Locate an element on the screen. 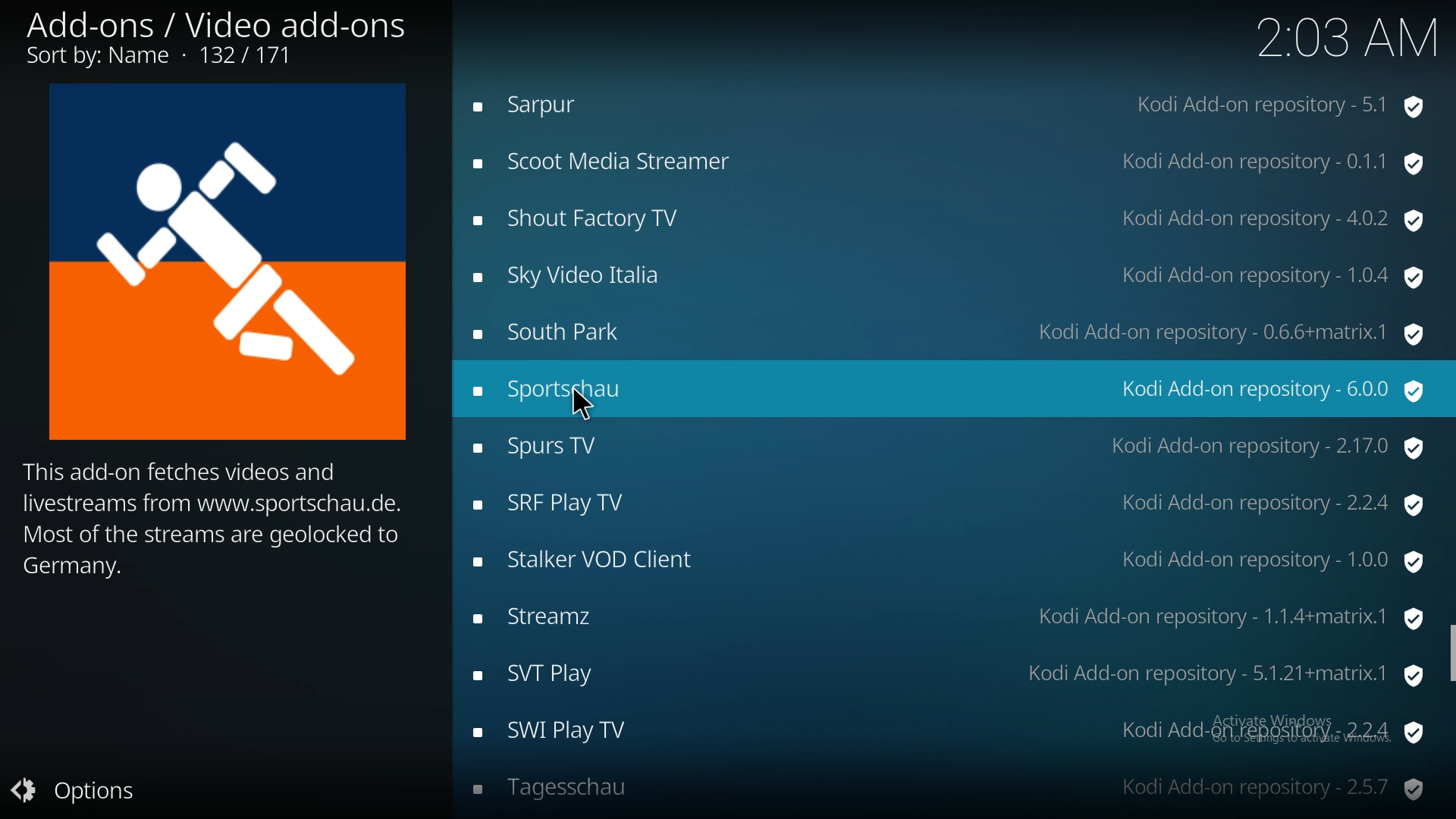 The height and width of the screenshot is (819, 1456). spurs tv is located at coordinates (952, 450).